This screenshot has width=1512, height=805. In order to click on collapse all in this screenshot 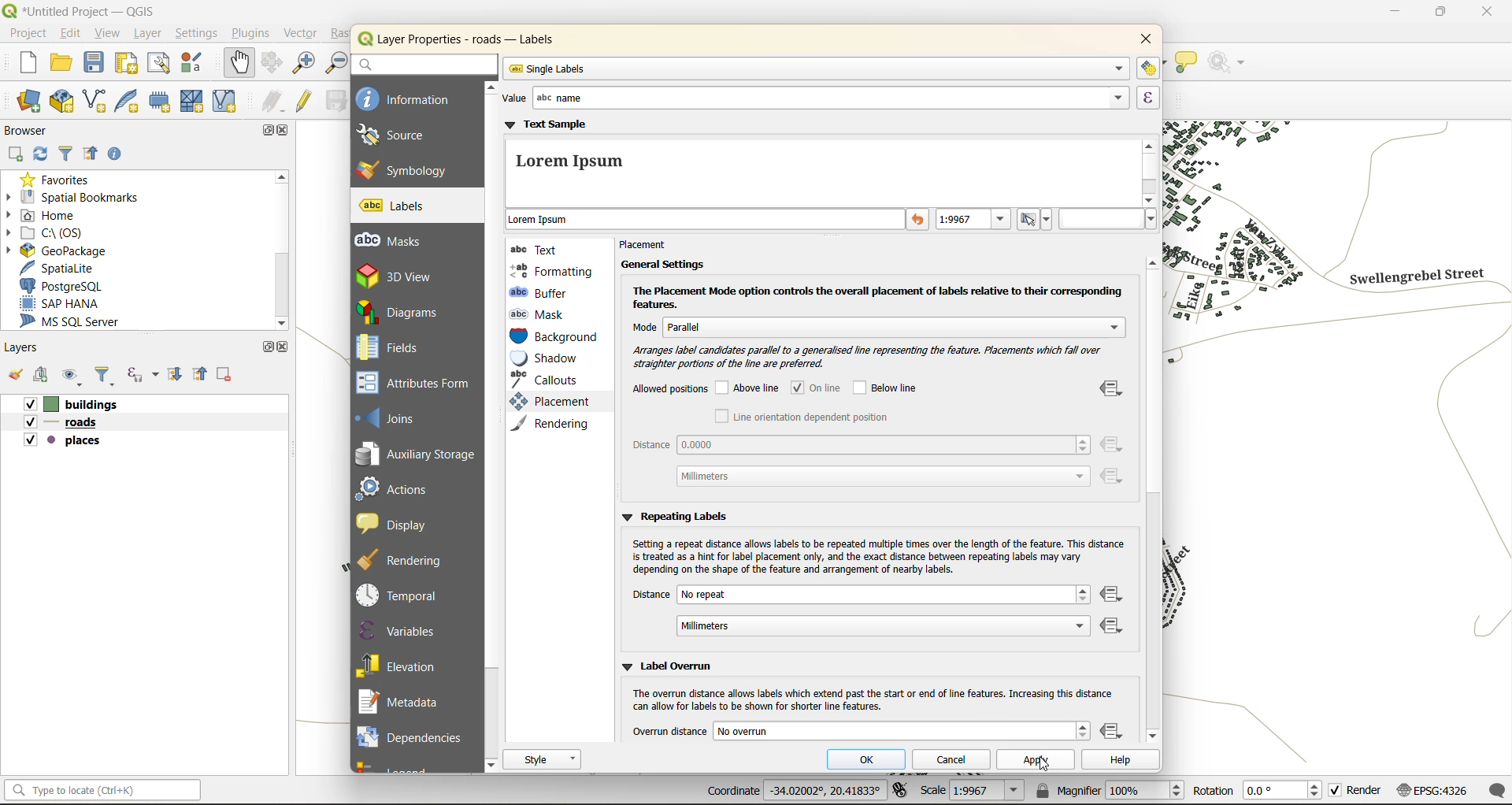, I will do `click(202, 377)`.